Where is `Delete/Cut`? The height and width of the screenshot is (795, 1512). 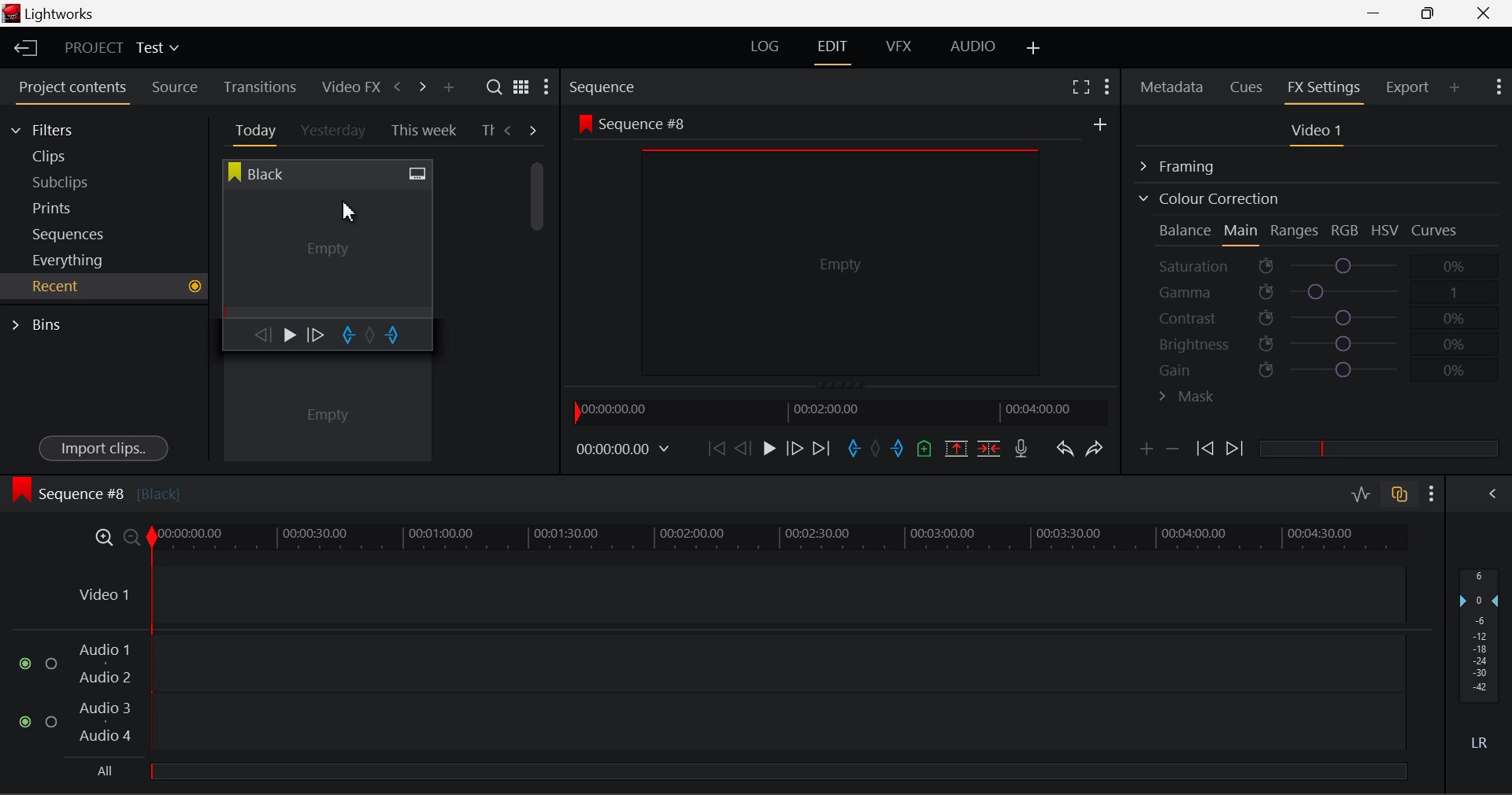
Delete/Cut is located at coordinates (989, 448).